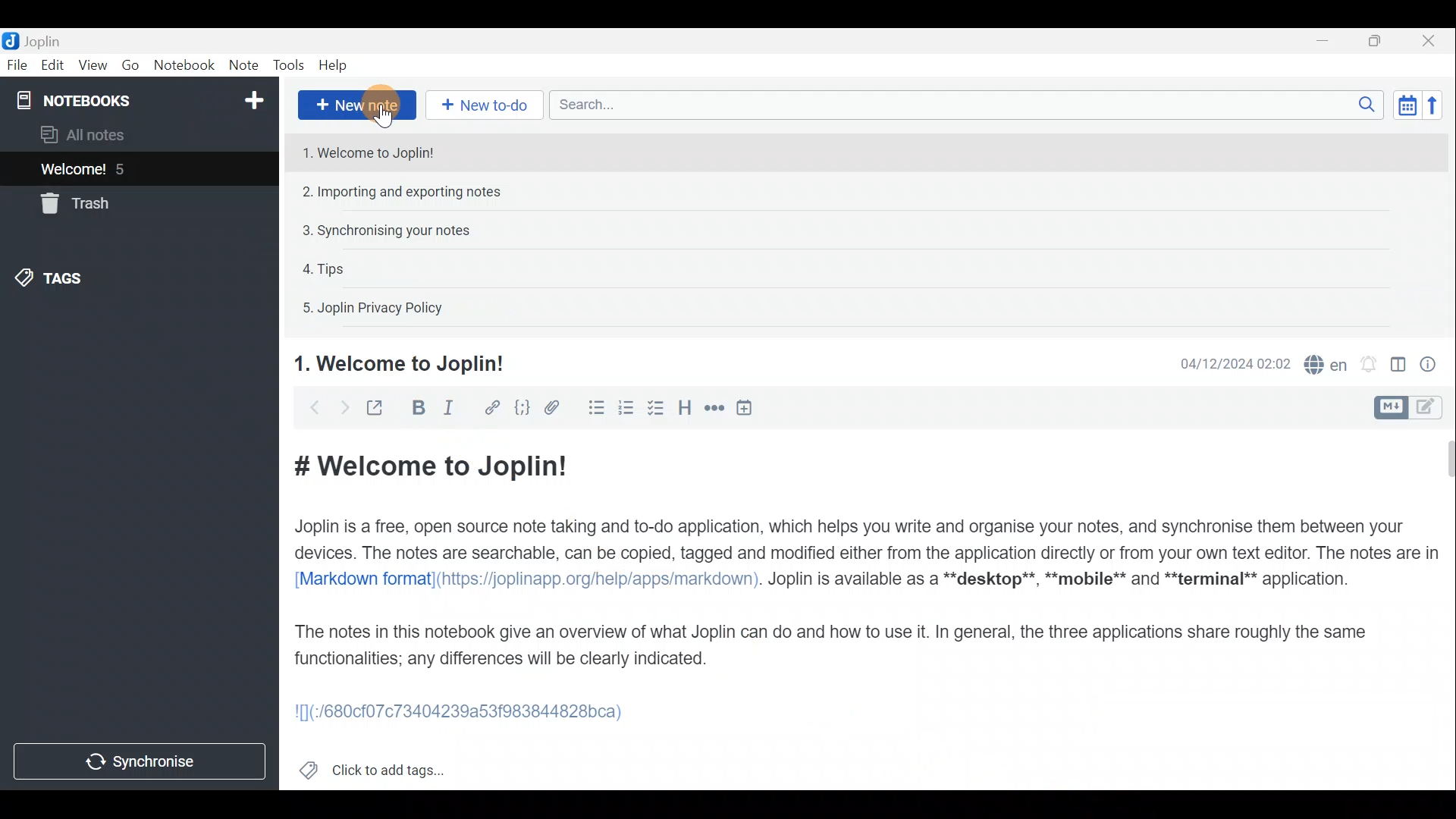 This screenshot has width=1456, height=819. What do you see at coordinates (653, 409) in the screenshot?
I see `Checkbox` at bounding box center [653, 409].